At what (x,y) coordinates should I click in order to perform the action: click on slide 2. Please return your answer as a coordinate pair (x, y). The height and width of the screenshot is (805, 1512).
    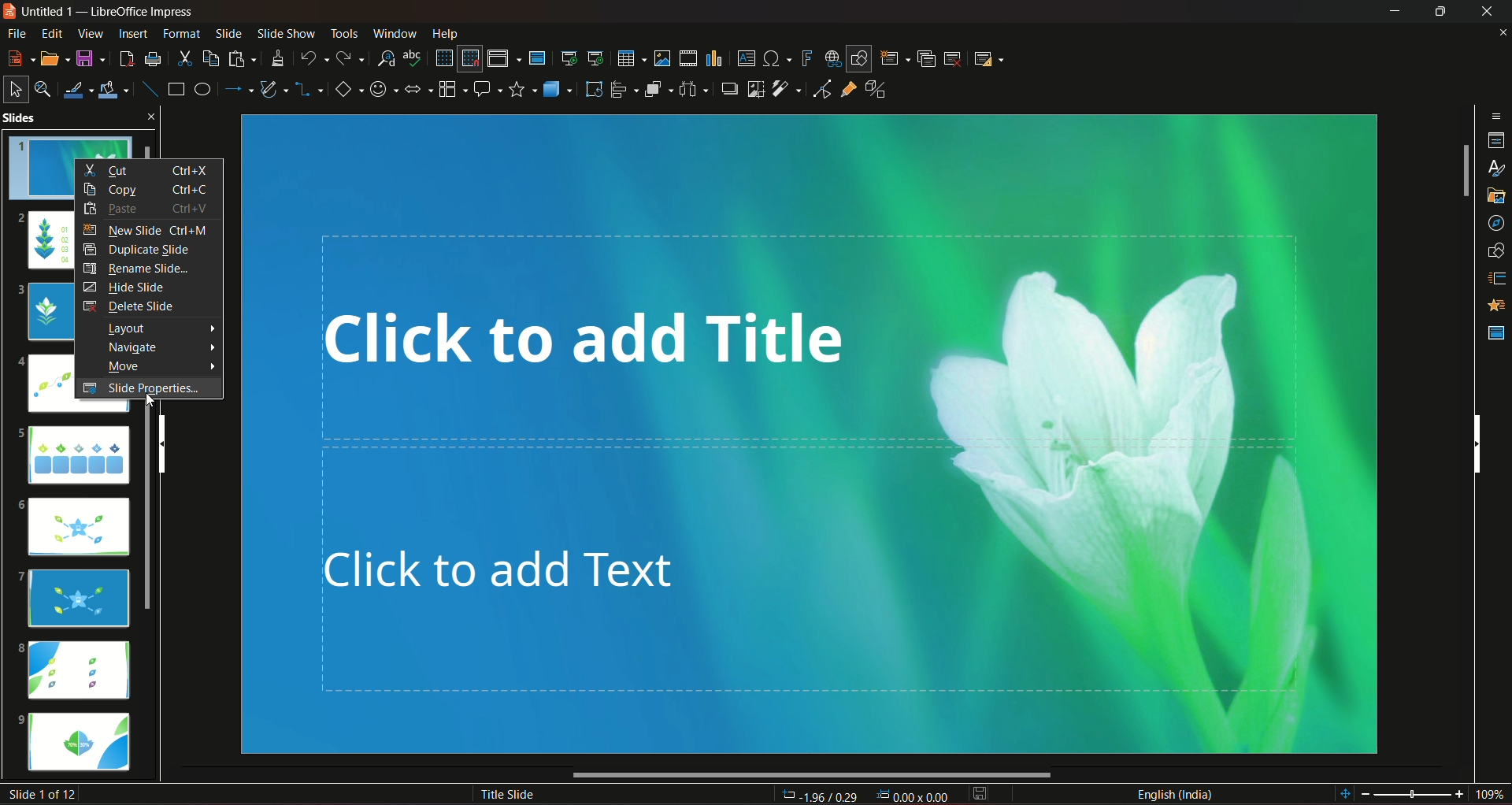
    Looking at the image, I should click on (44, 241).